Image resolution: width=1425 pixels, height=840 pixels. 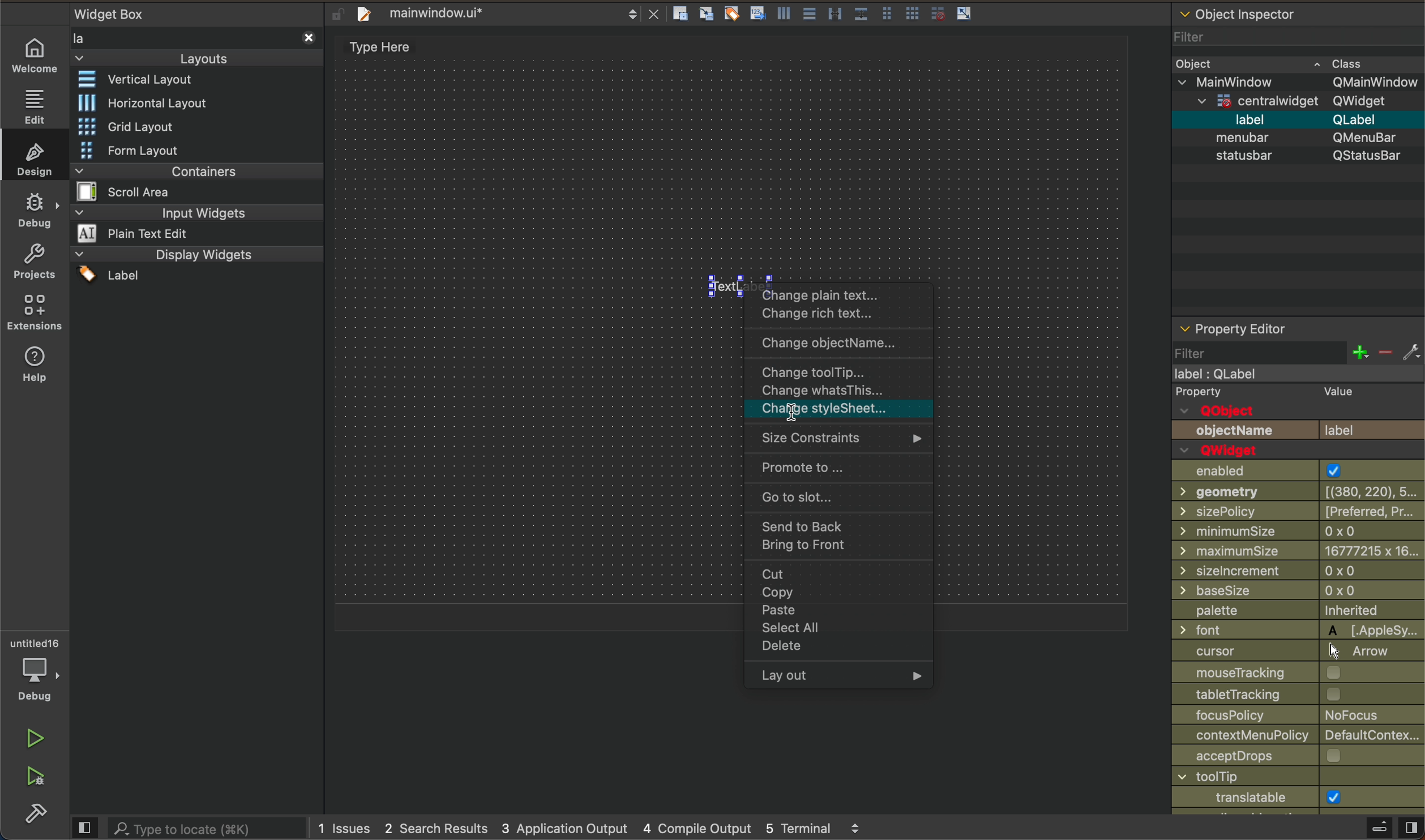 What do you see at coordinates (197, 267) in the screenshot?
I see `display widgets` at bounding box center [197, 267].